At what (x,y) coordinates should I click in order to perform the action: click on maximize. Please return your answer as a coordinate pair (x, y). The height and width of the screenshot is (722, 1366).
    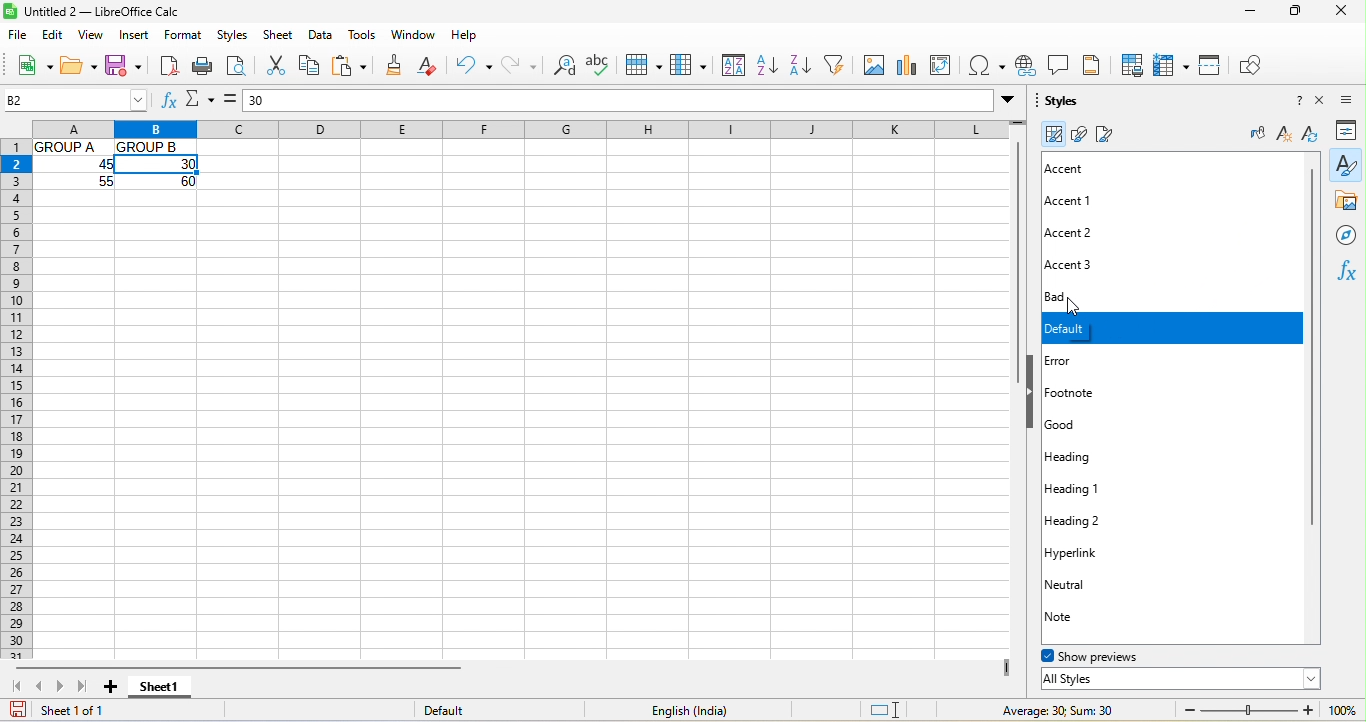
    Looking at the image, I should click on (1294, 12).